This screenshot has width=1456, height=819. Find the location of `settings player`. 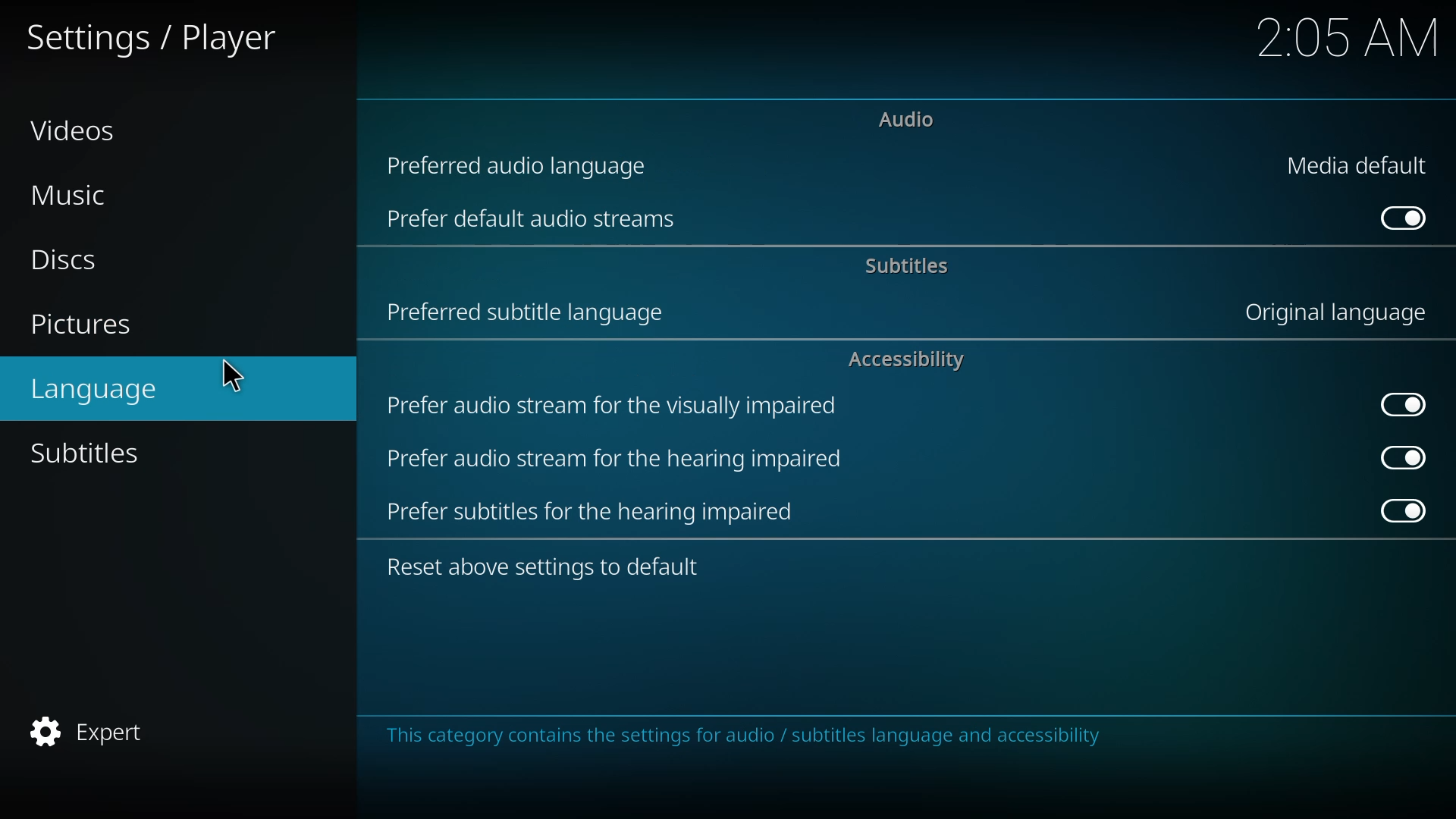

settings player is located at coordinates (155, 37).